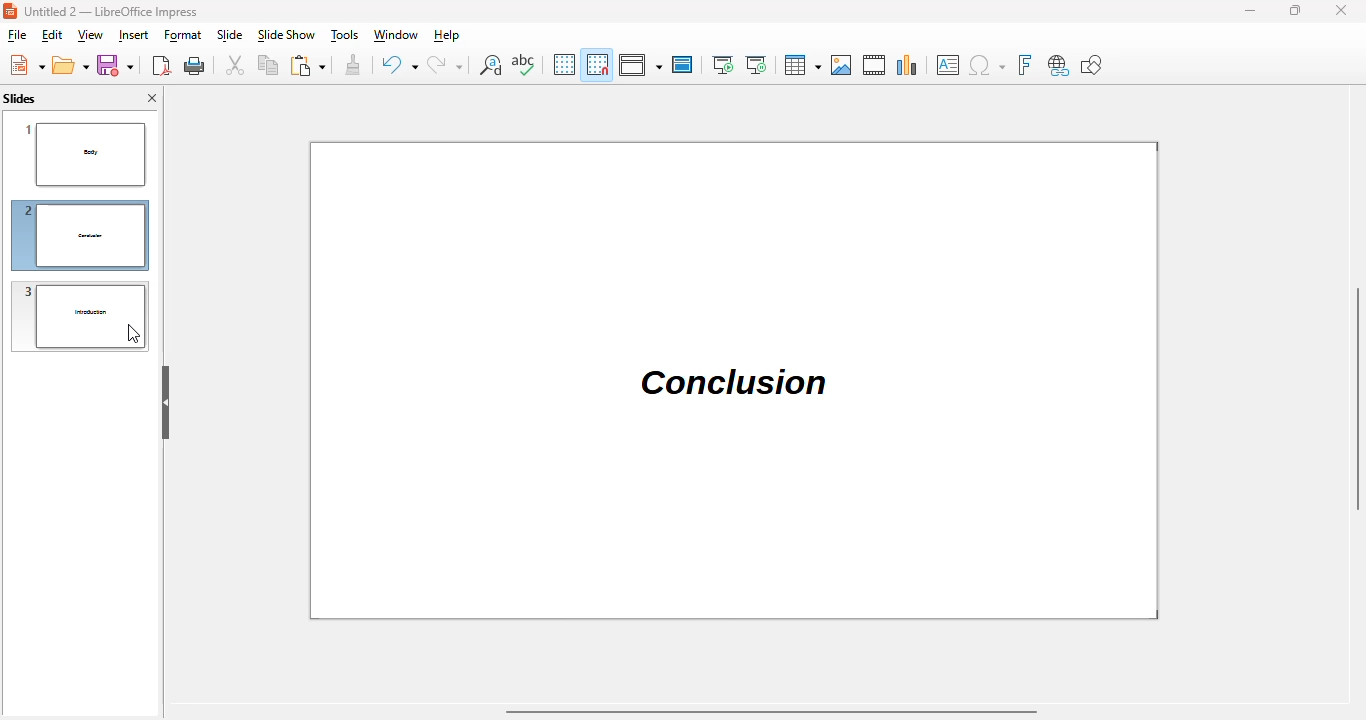  Describe the element at coordinates (1093, 65) in the screenshot. I see `show draw functions` at that location.